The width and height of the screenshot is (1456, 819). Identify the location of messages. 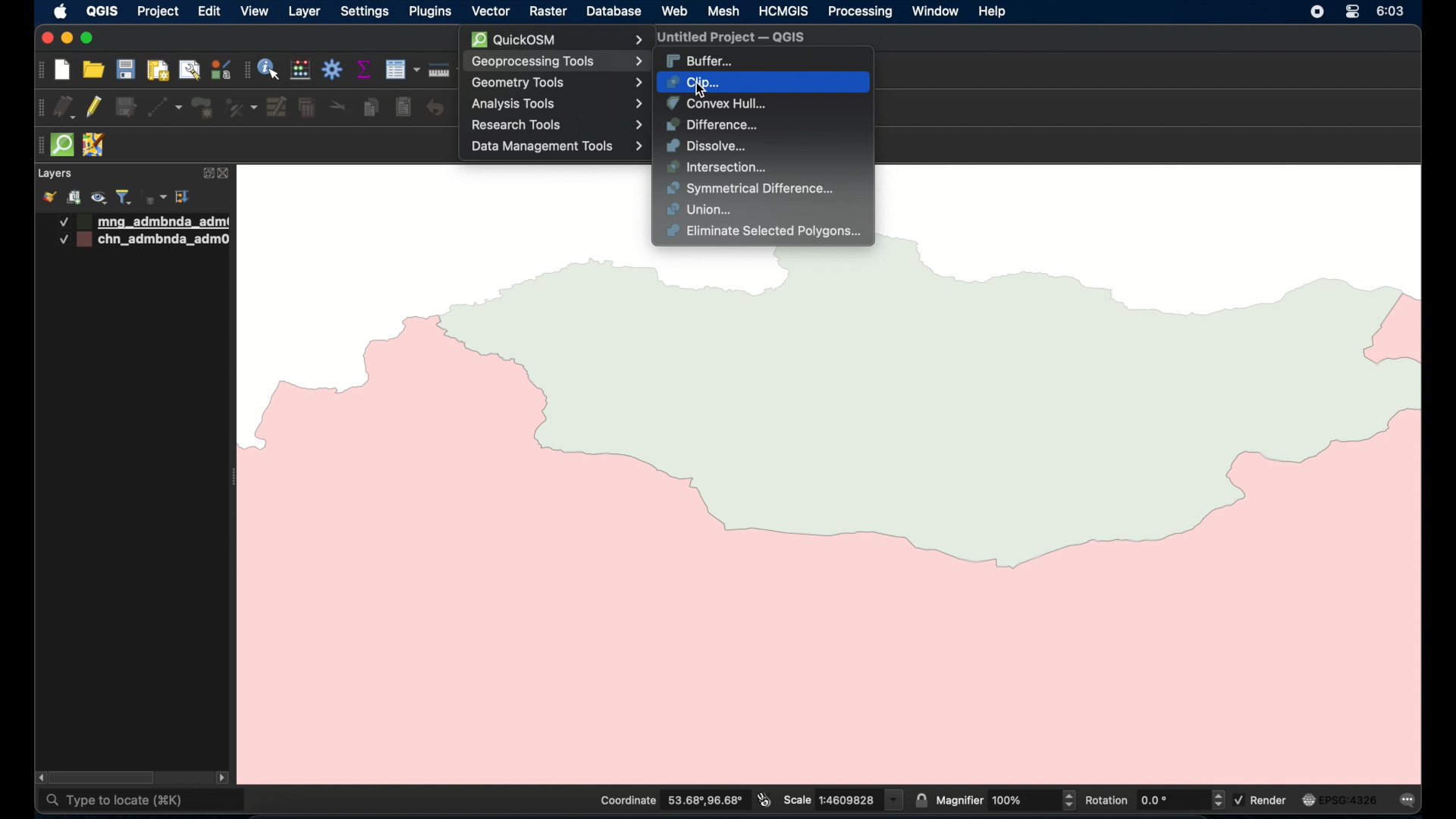
(1410, 802).